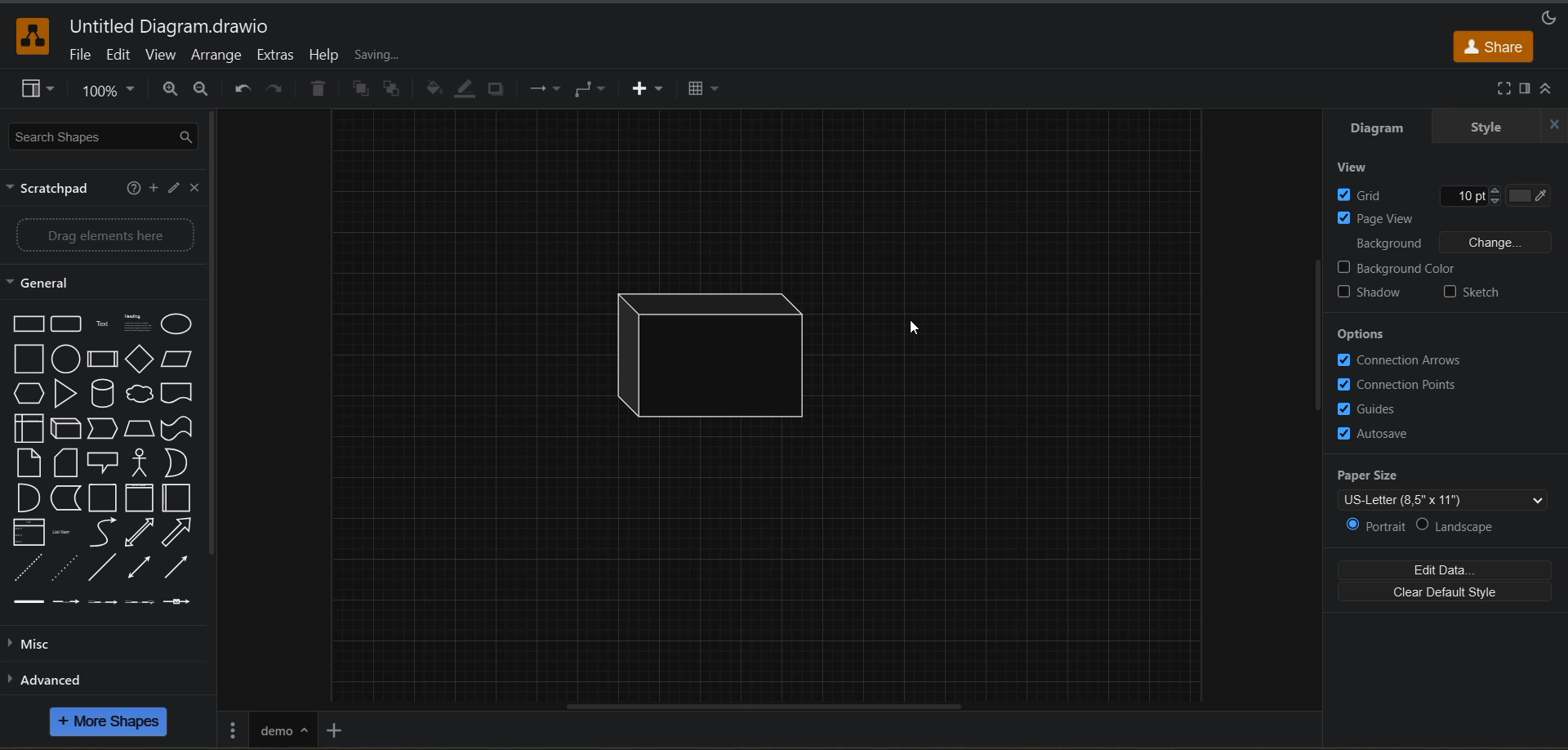  What do you see at coordinates (1439, 219) in the screenshot?
I see `page view` at bounding box center [1439, 219].